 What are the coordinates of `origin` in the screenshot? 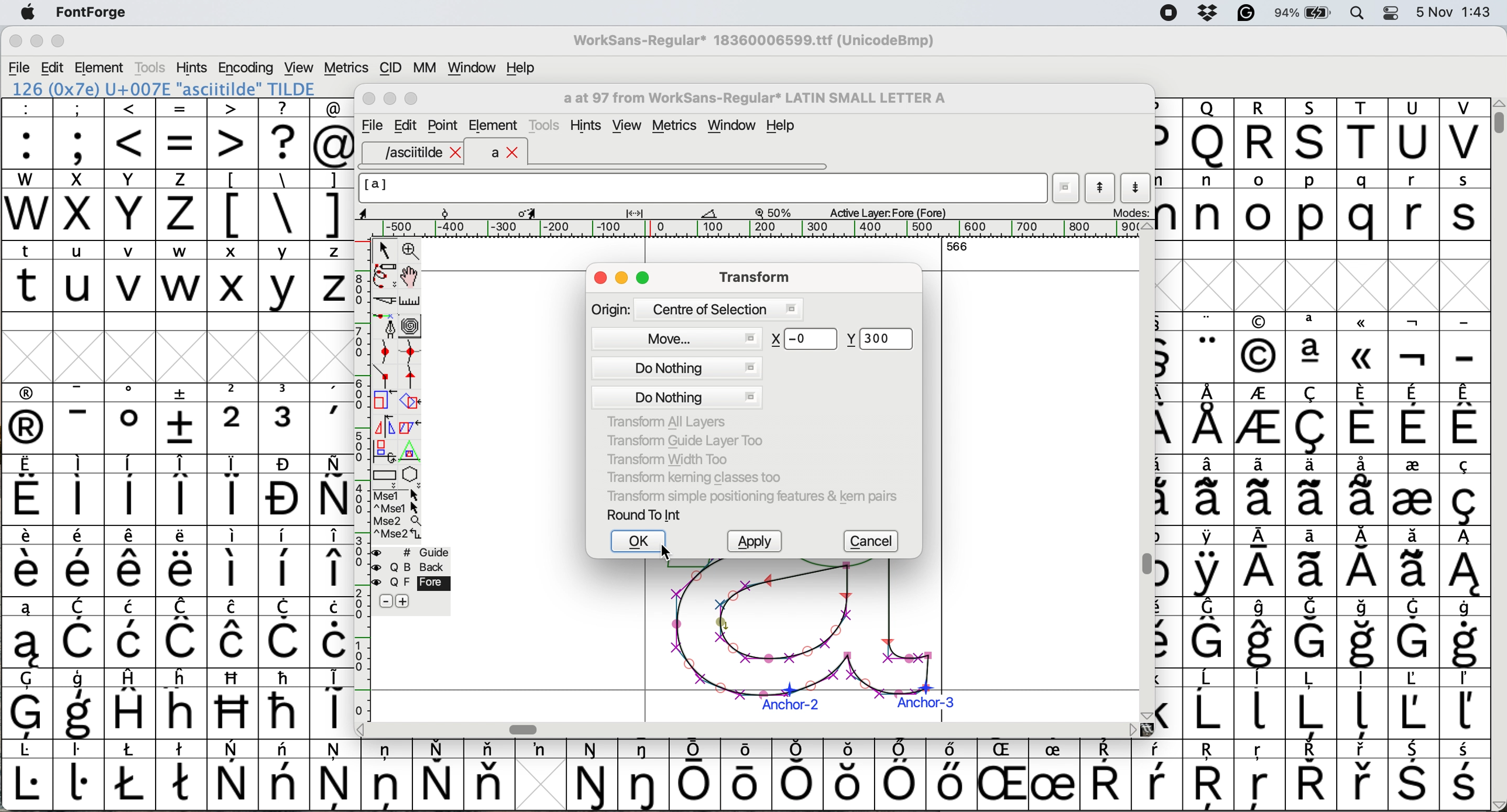 It's located at (696, 308).